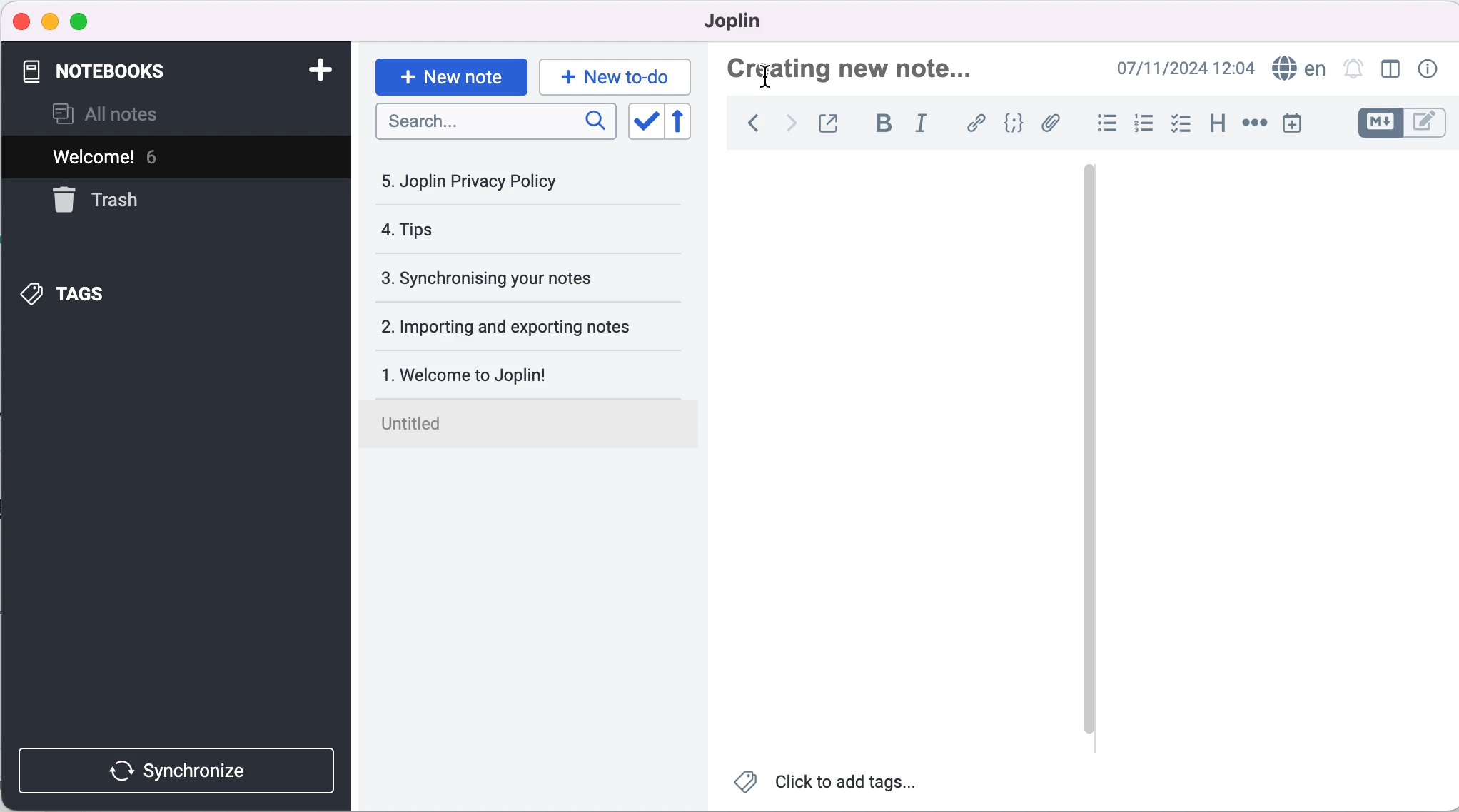 The height and width of the screenshot is (812, 1459). I want to click on checkbox, so click(1183, 126).